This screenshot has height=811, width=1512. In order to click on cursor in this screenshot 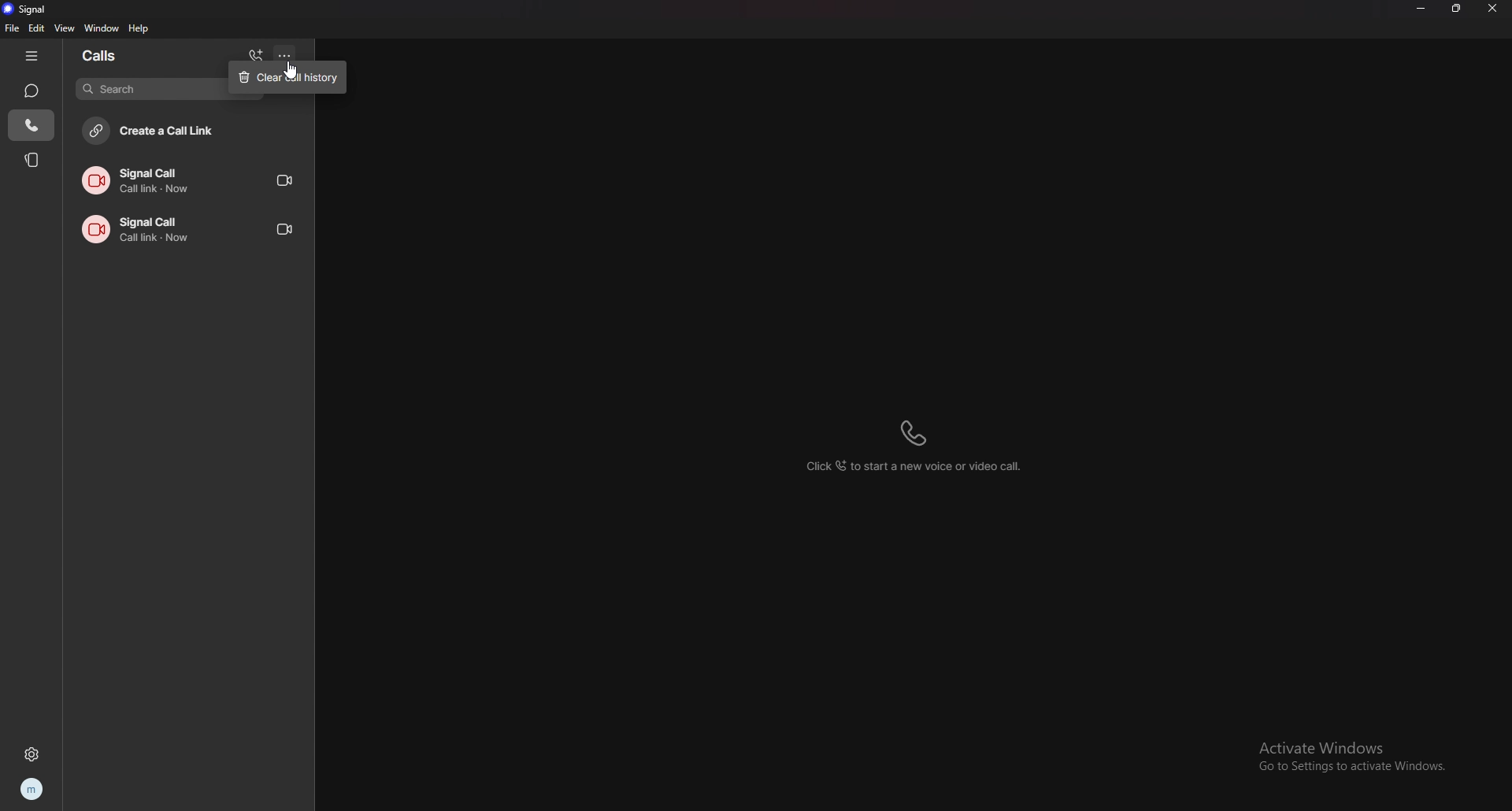, I will do `click(289, 72)`.